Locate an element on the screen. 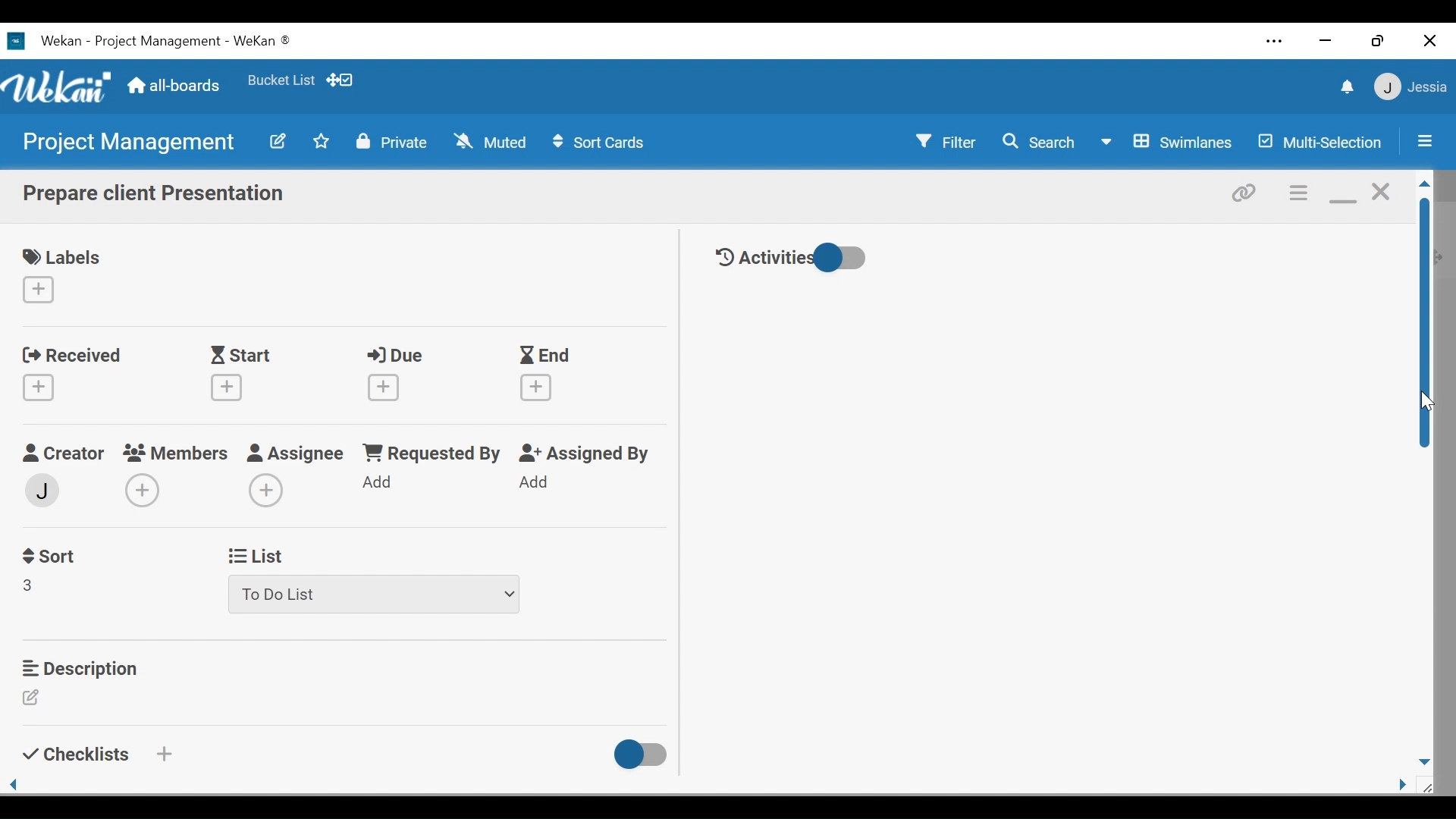 This screenshot has width=1456, height=819. Add Requested by is located at coordinates (381, 482).